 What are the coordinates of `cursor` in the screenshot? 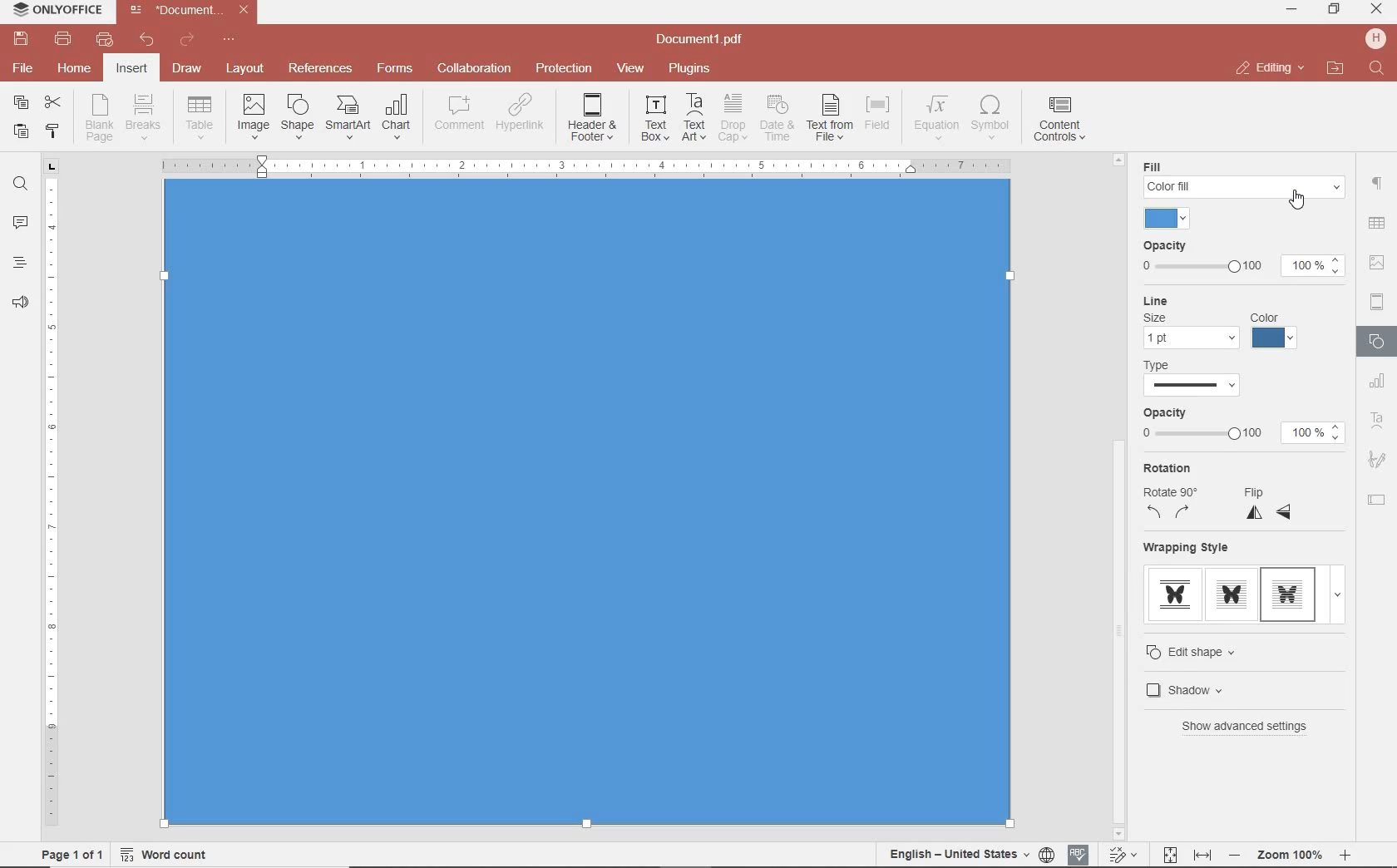 It's located at (1234, 690).